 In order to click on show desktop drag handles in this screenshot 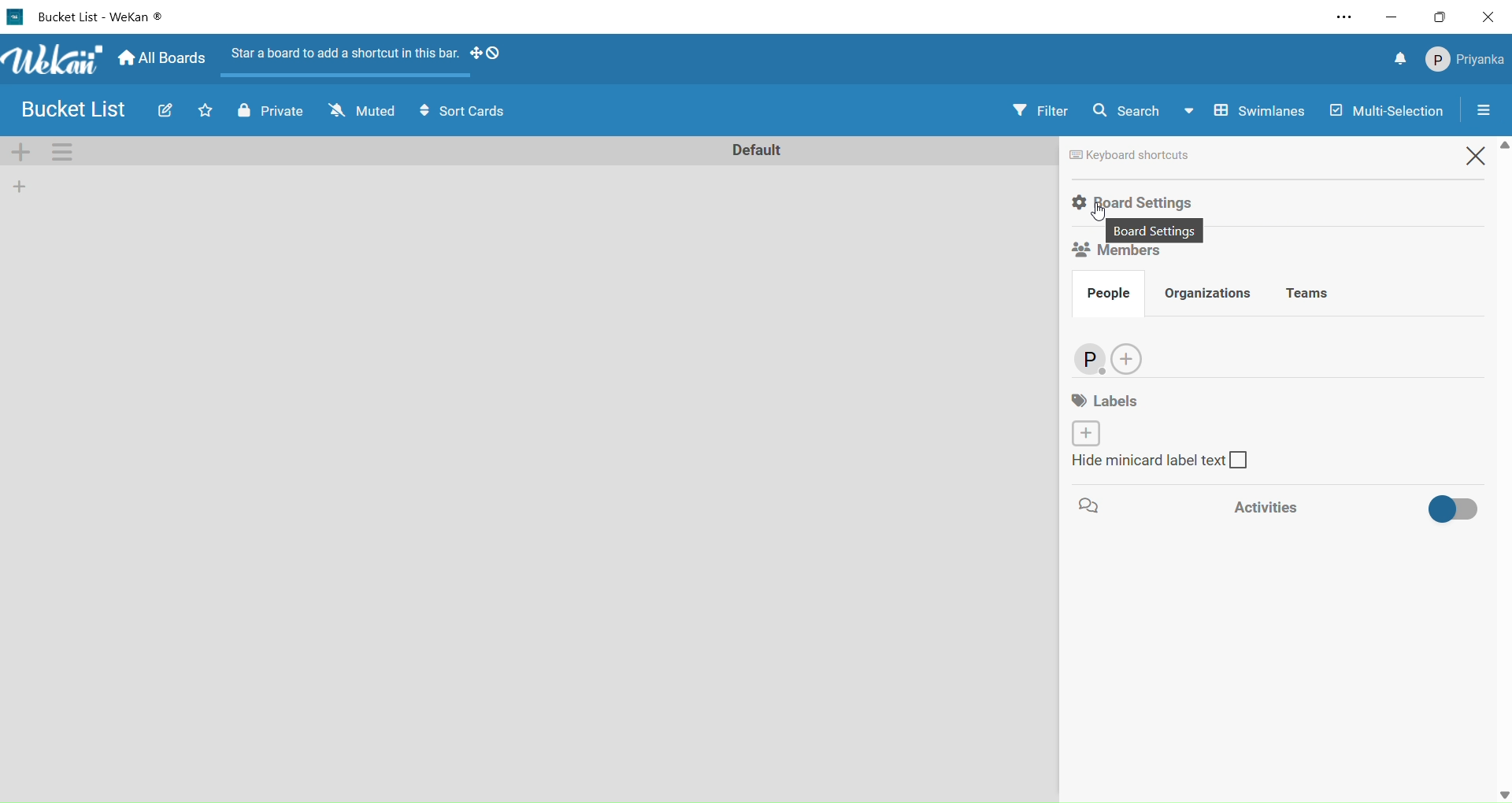, I will do `click(491, 54)`.